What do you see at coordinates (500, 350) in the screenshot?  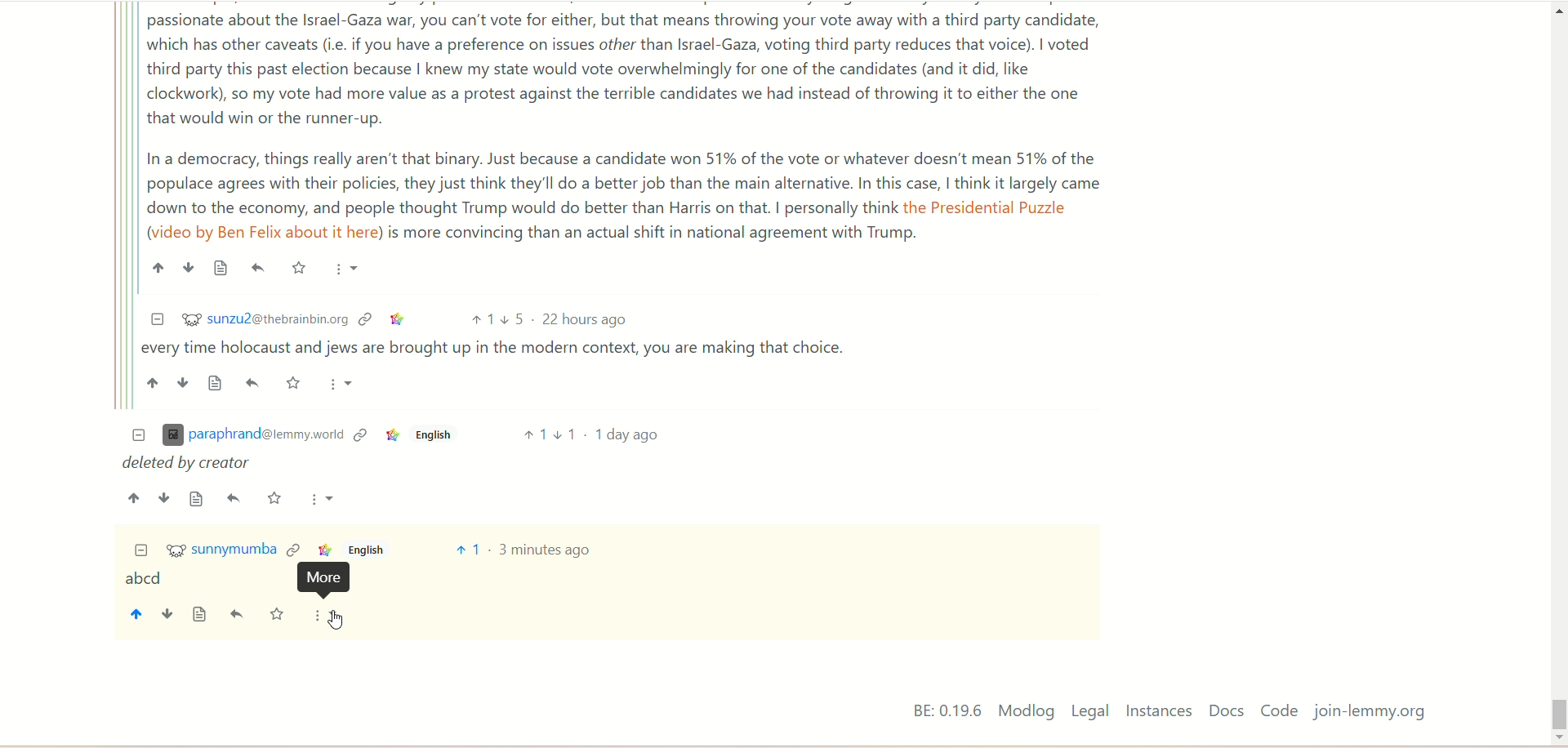 I see `| every time holocaust and jews are brought up in the modern context, you are making that choice.` at bounding box center [500, 350].